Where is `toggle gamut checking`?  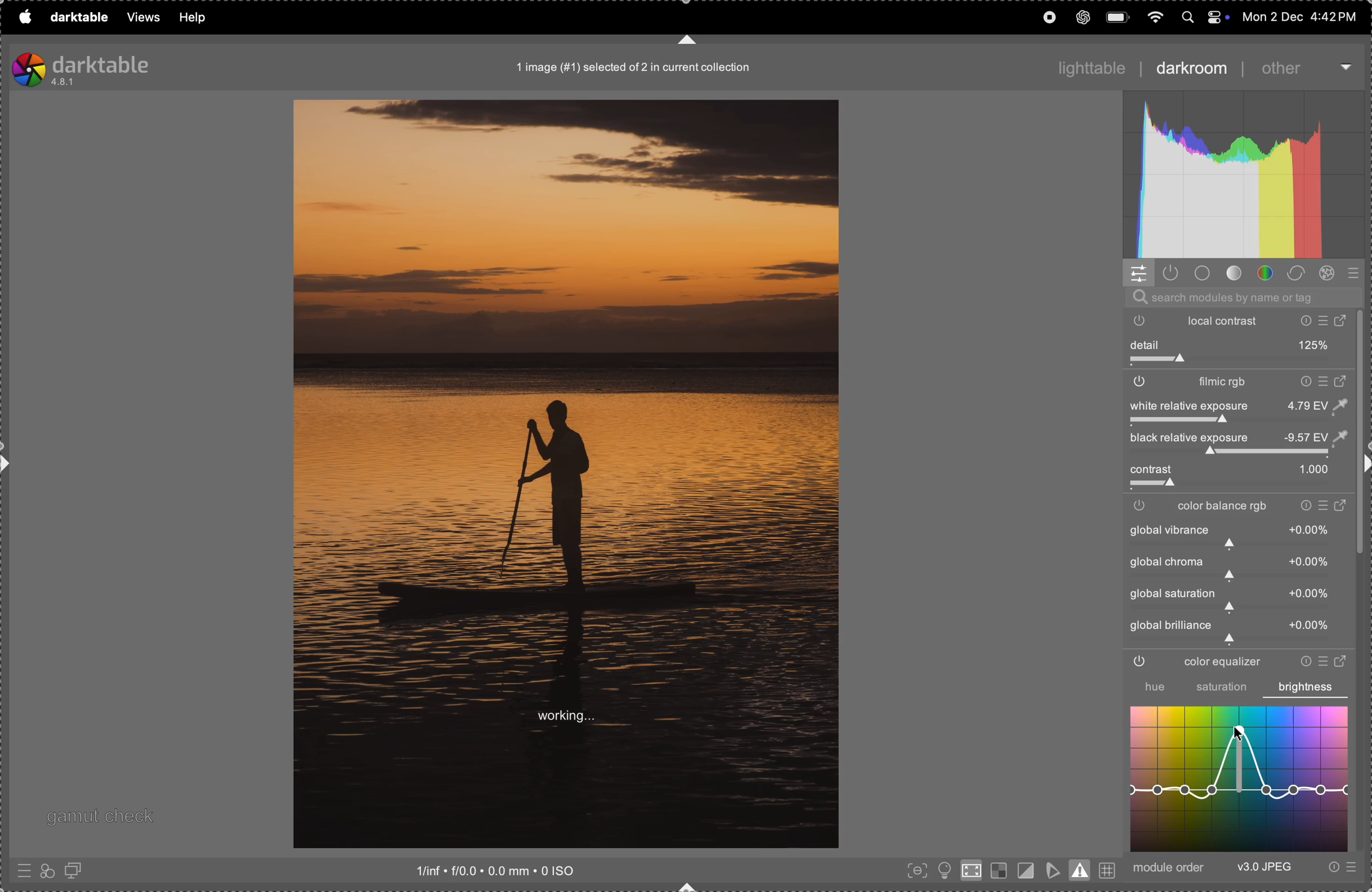 toggle gamut checking is located at coordinates (1081, 870).